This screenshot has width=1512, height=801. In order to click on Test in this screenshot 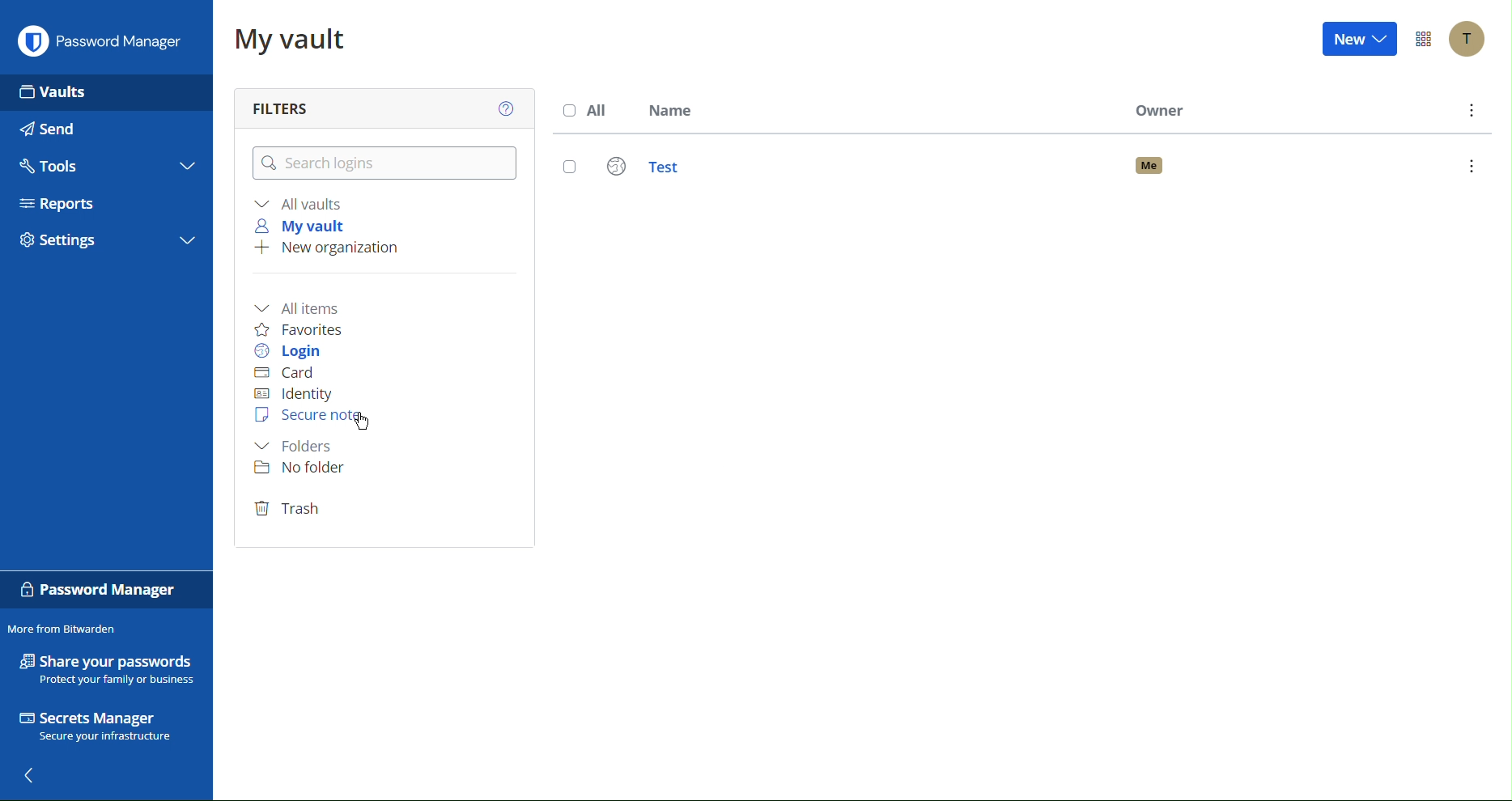, I will do `click(1022, 165)`.